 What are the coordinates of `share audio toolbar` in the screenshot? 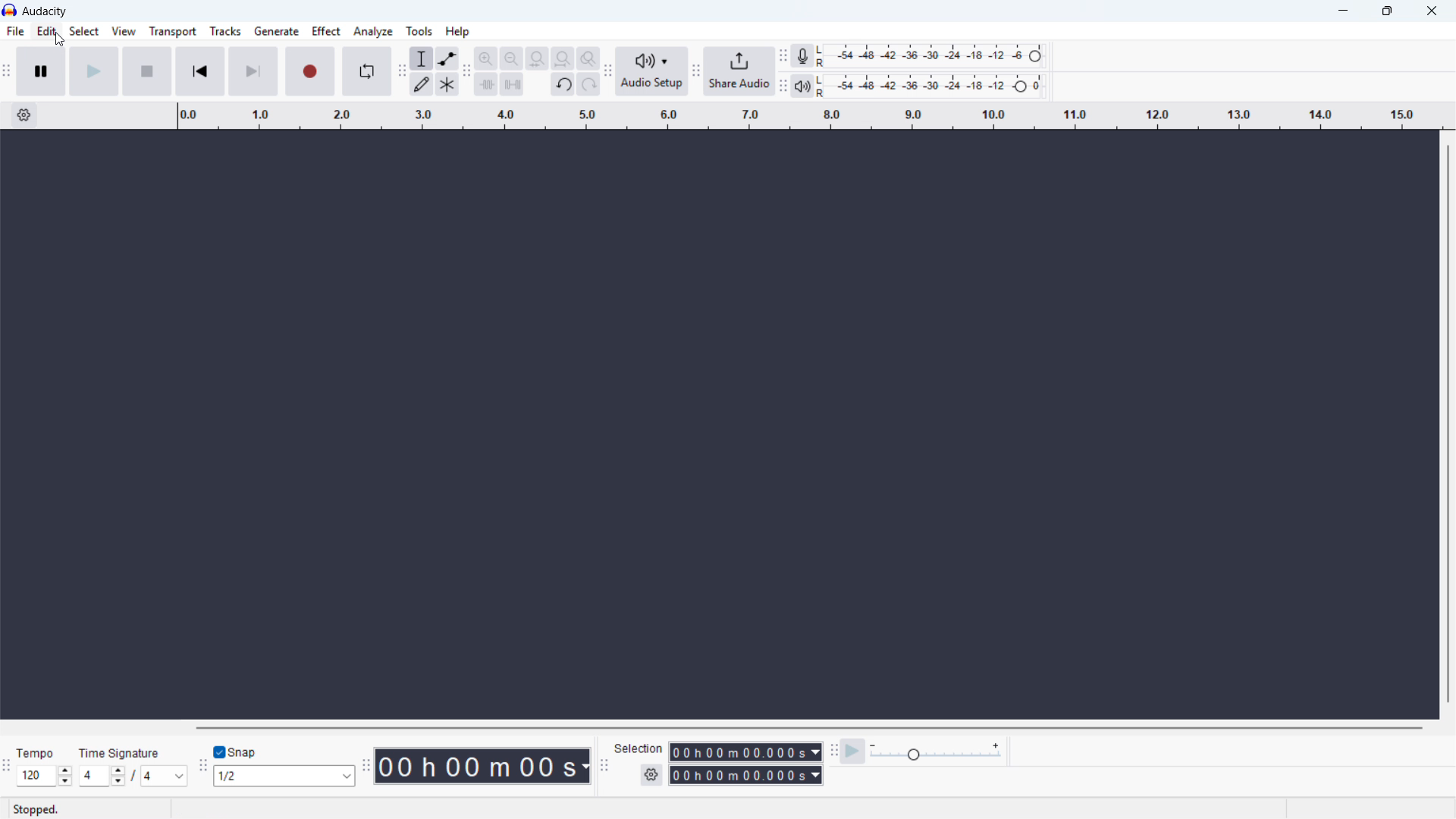 It's located at (695, 71).